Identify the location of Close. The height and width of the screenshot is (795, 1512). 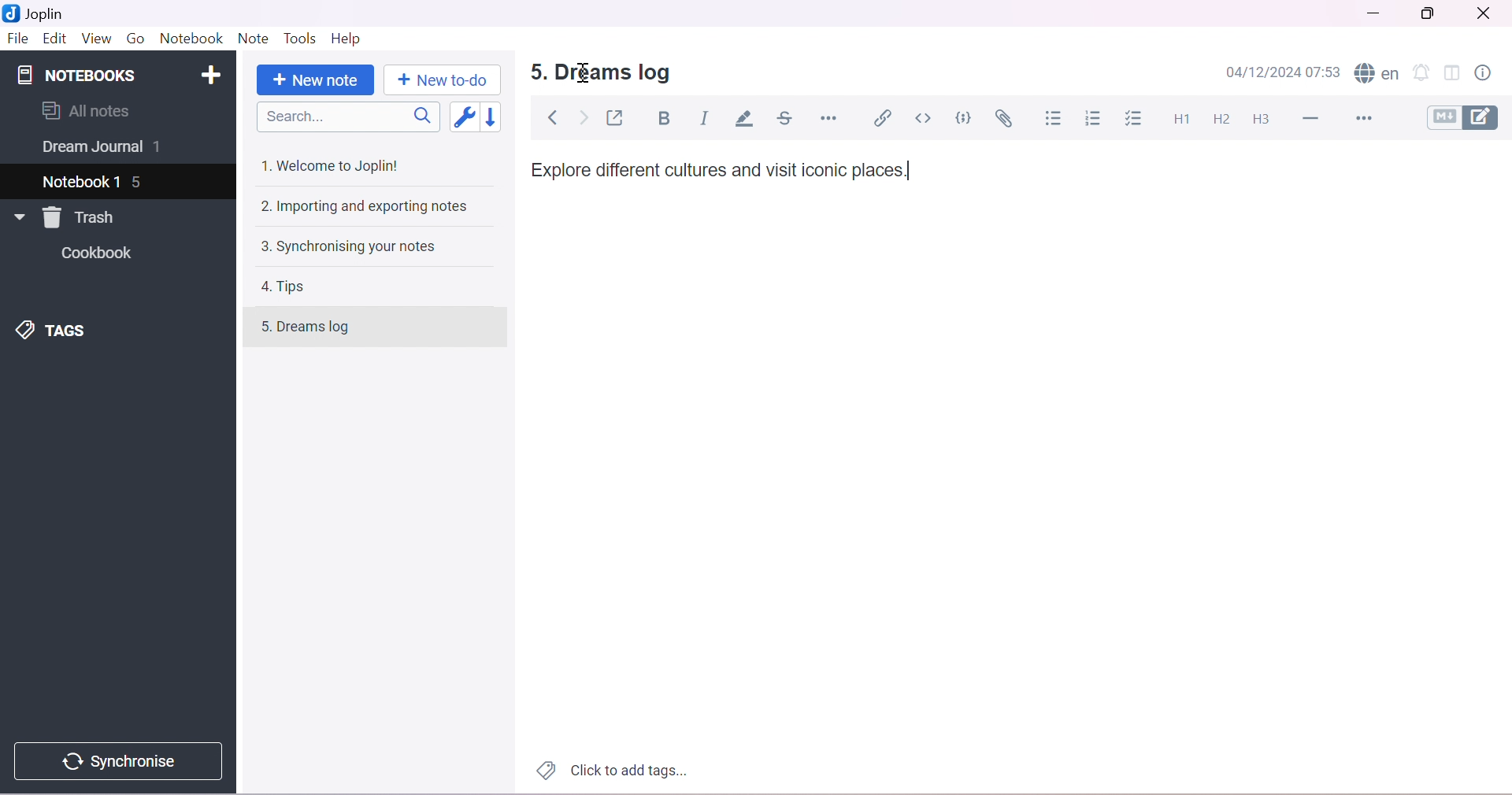
(1488, 13).